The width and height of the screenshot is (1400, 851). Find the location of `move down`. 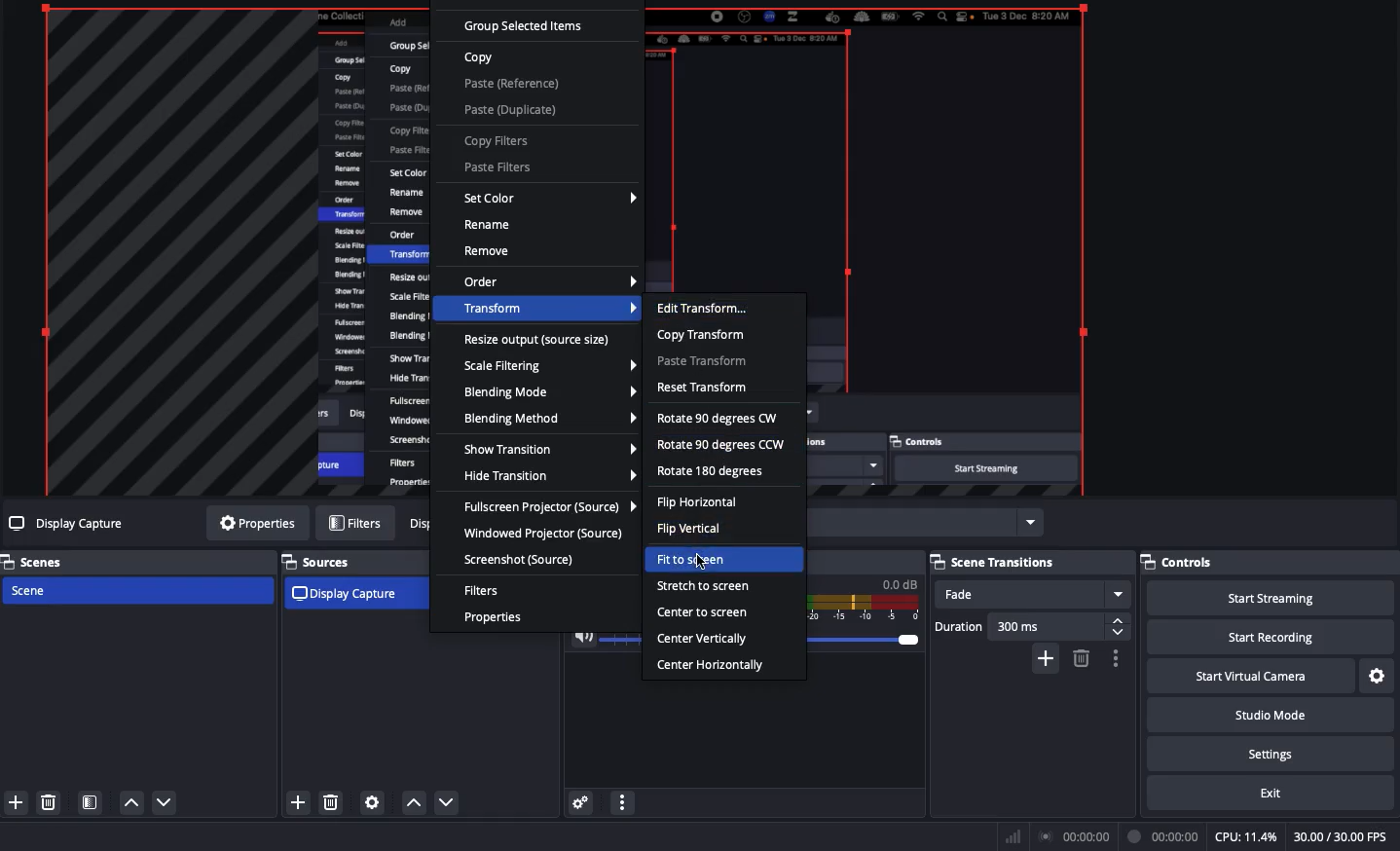

move down is located at coordinates (450, 803).